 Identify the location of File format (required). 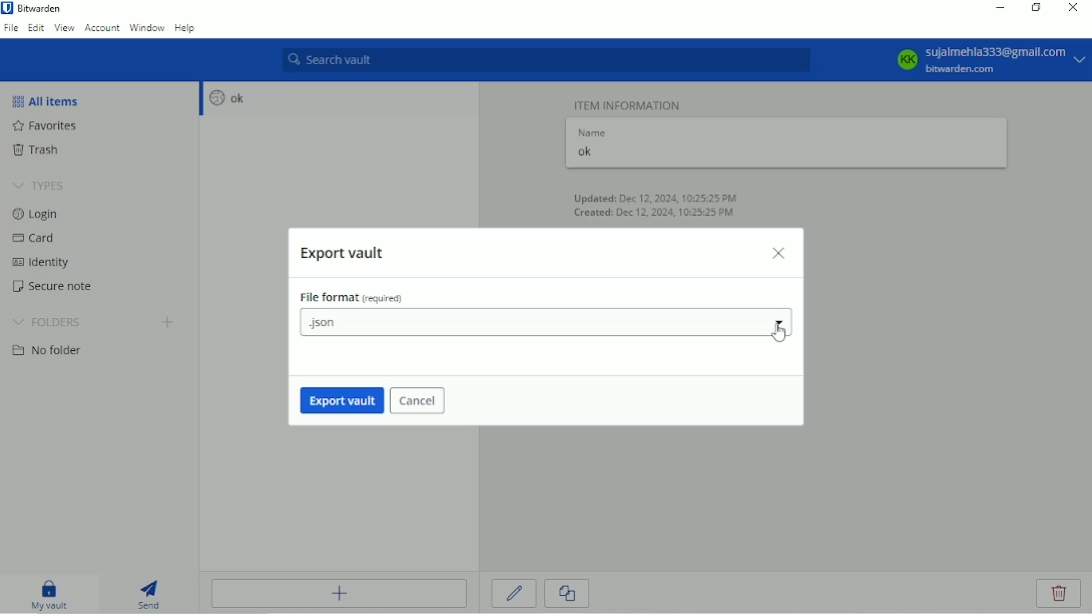
(354, 298).